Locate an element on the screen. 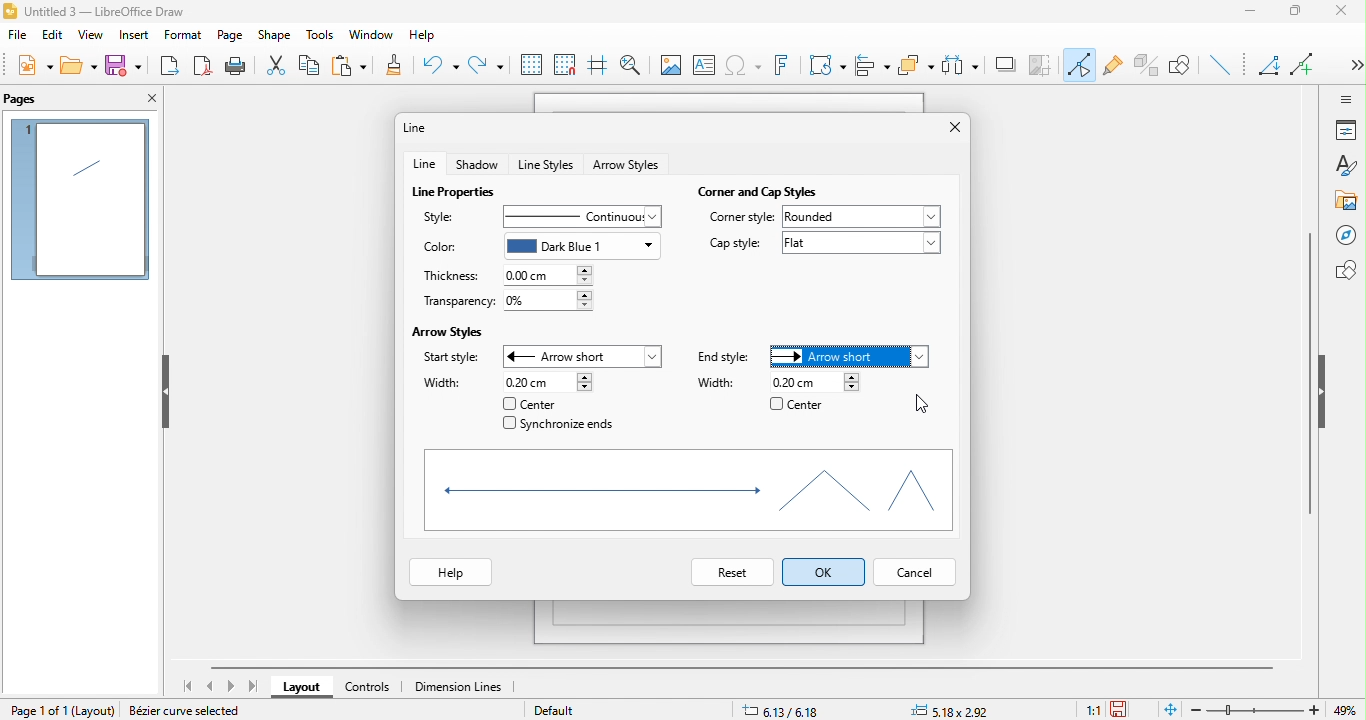  font work text is located at coordinates (786, 69).